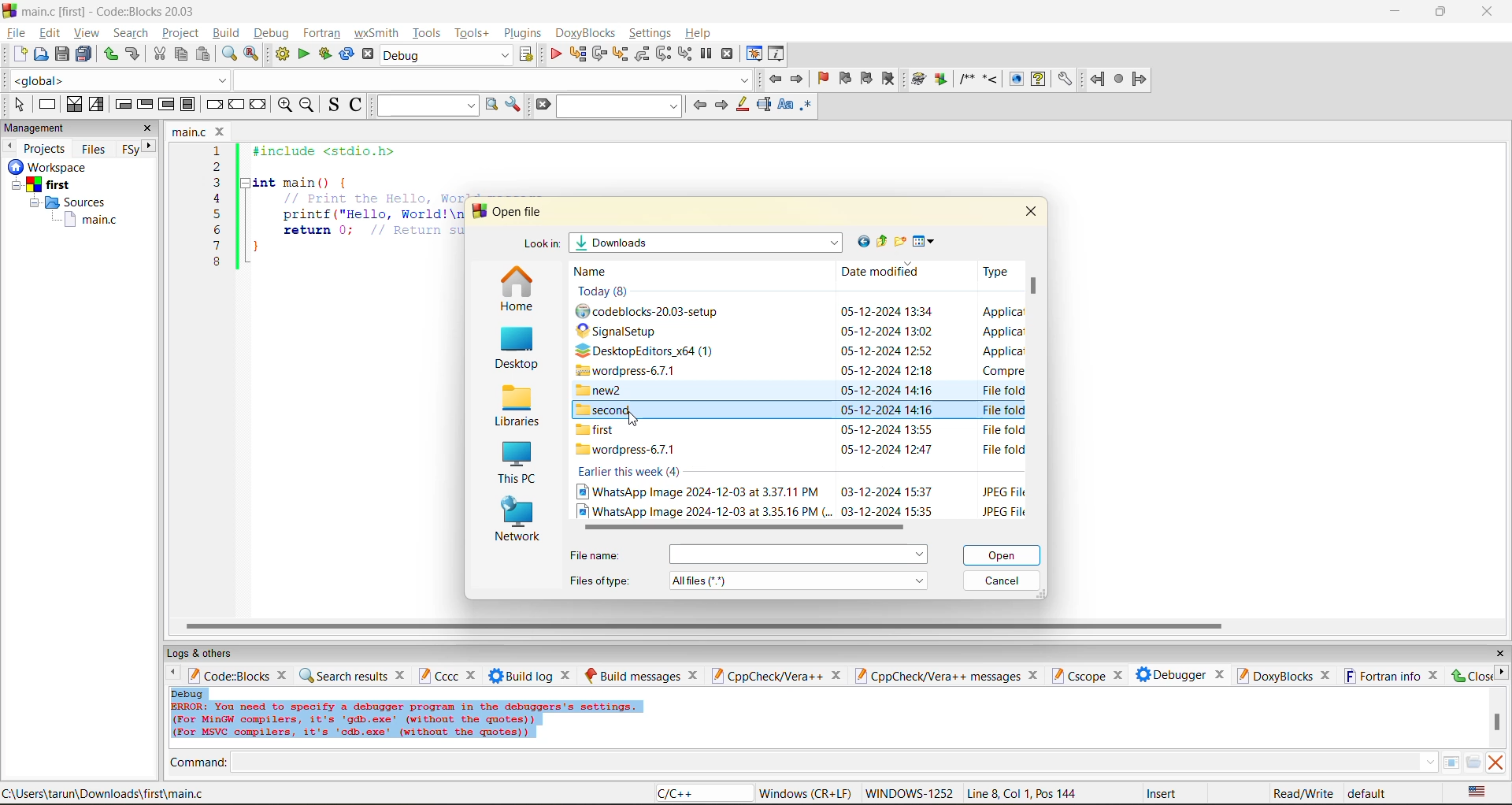  I want to click on match case, so click(784, 106).